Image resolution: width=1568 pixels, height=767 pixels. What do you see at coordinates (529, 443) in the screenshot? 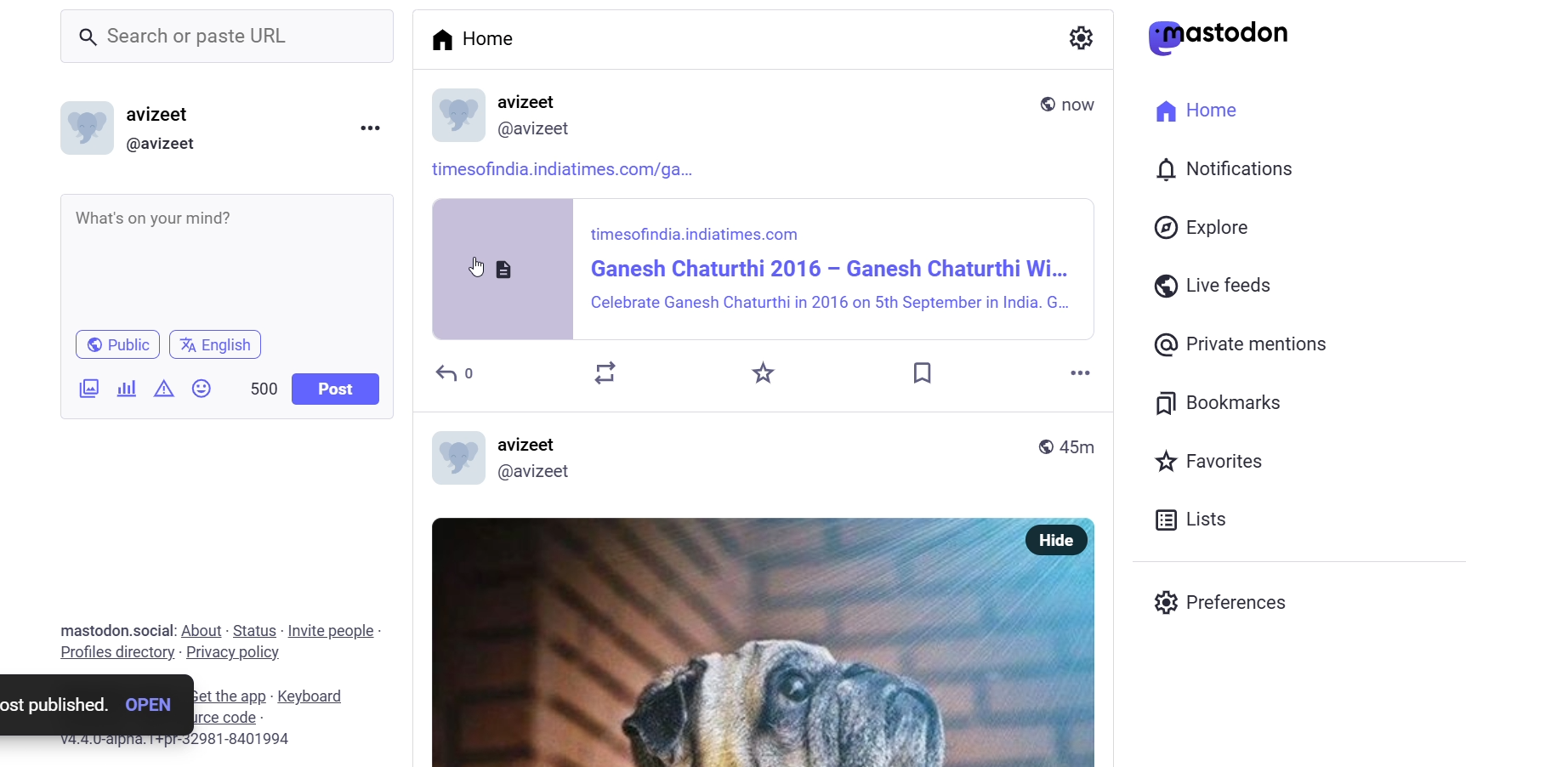
I see `avizeet` at bounding box center [529, 443].